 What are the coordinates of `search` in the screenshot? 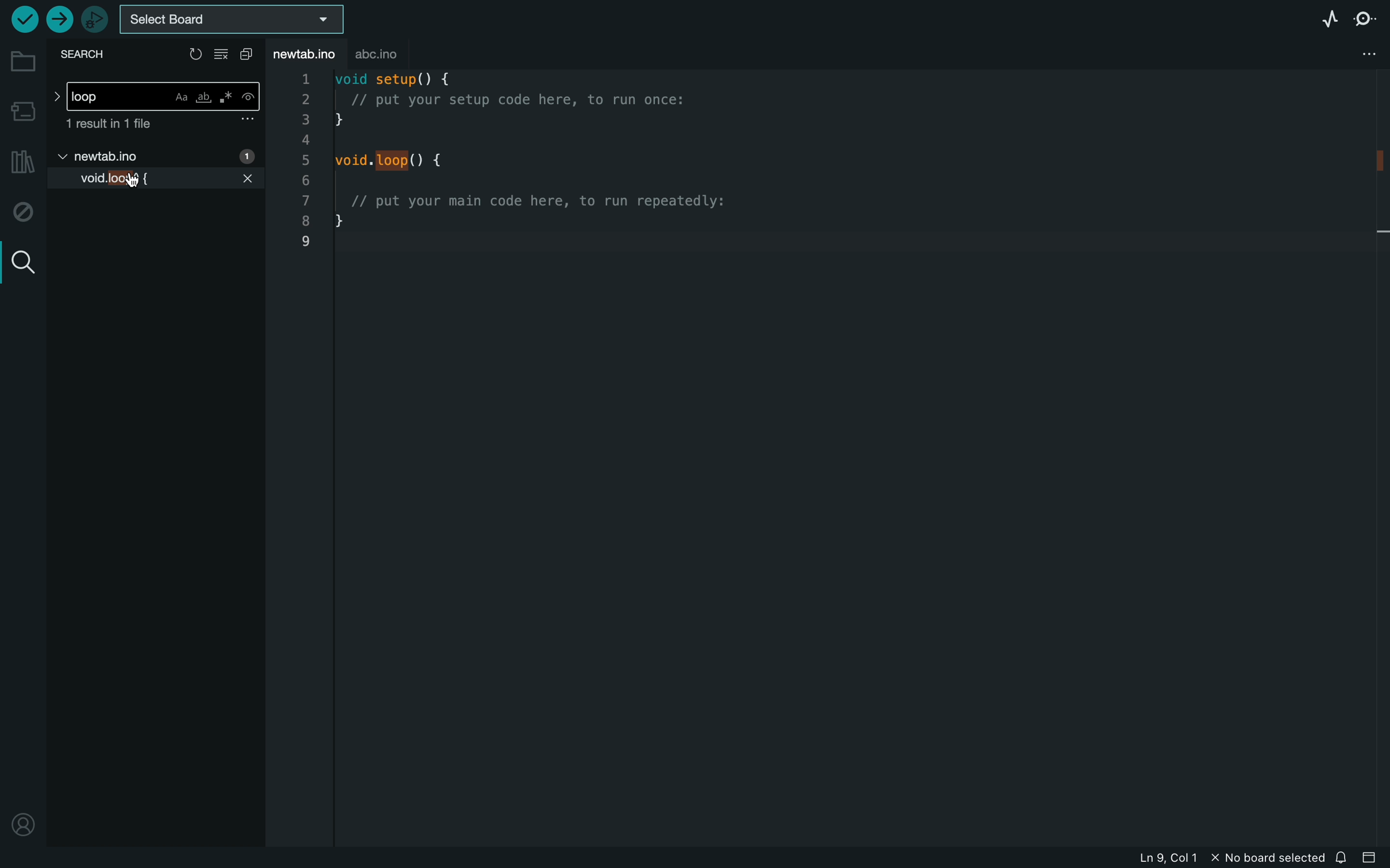 It's located at (87, 56).